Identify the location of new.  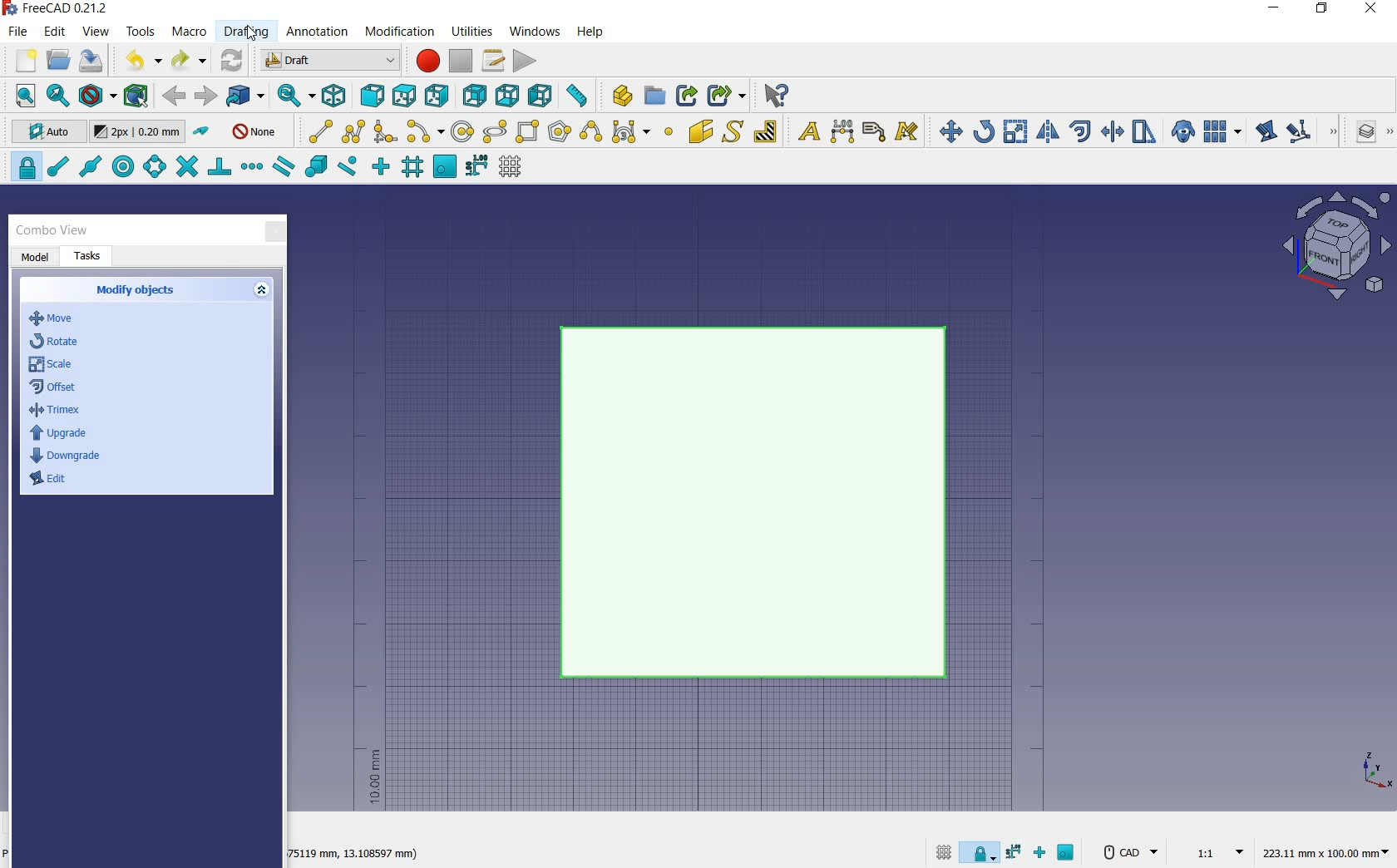
(19, 62).